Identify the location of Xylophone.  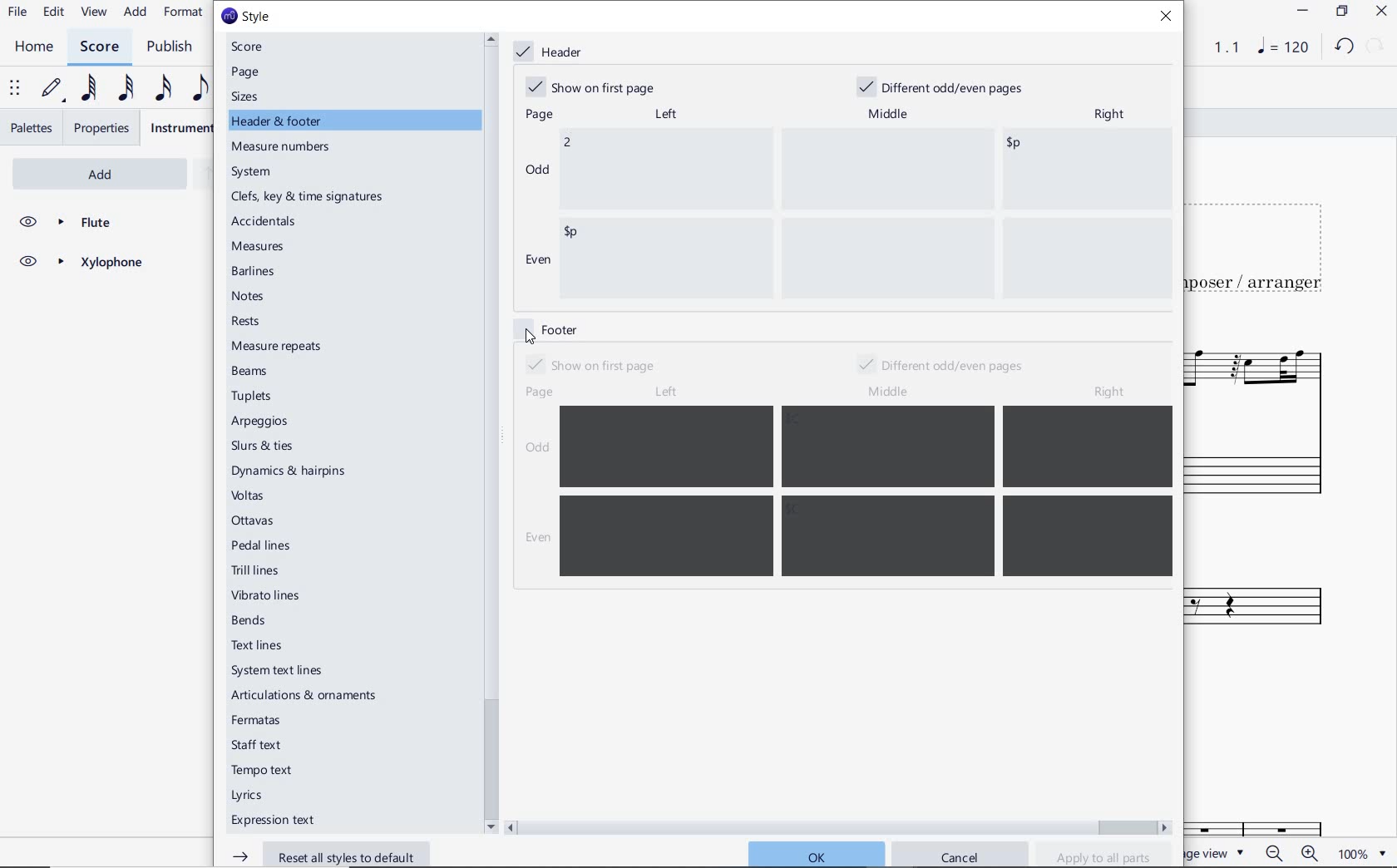
(1272, 588).